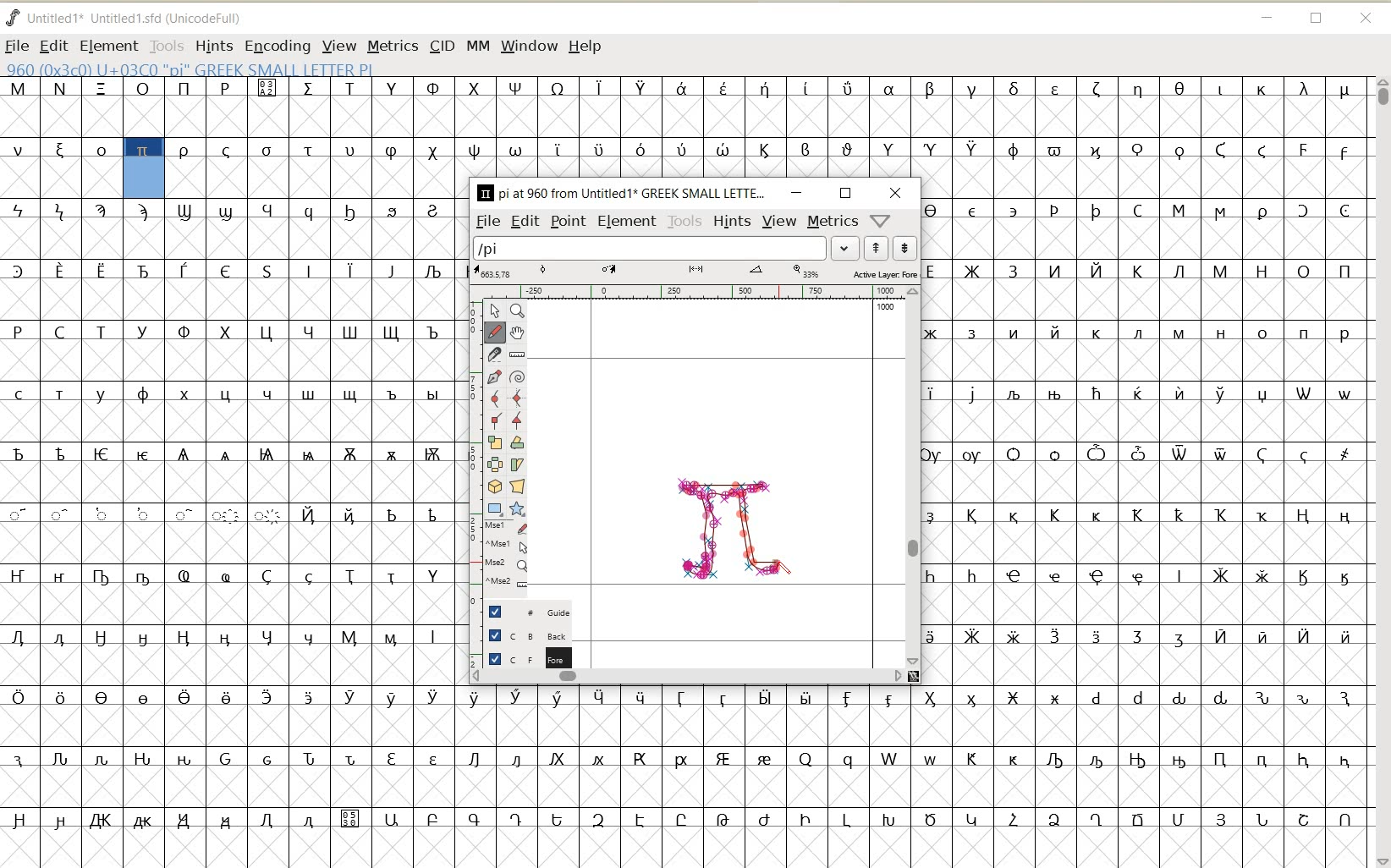 The height and width of the screenshot is (868, 1391). Describe the element at coordinates (889, 248) in the screenshot. I see `show previous/next word list` at that location.